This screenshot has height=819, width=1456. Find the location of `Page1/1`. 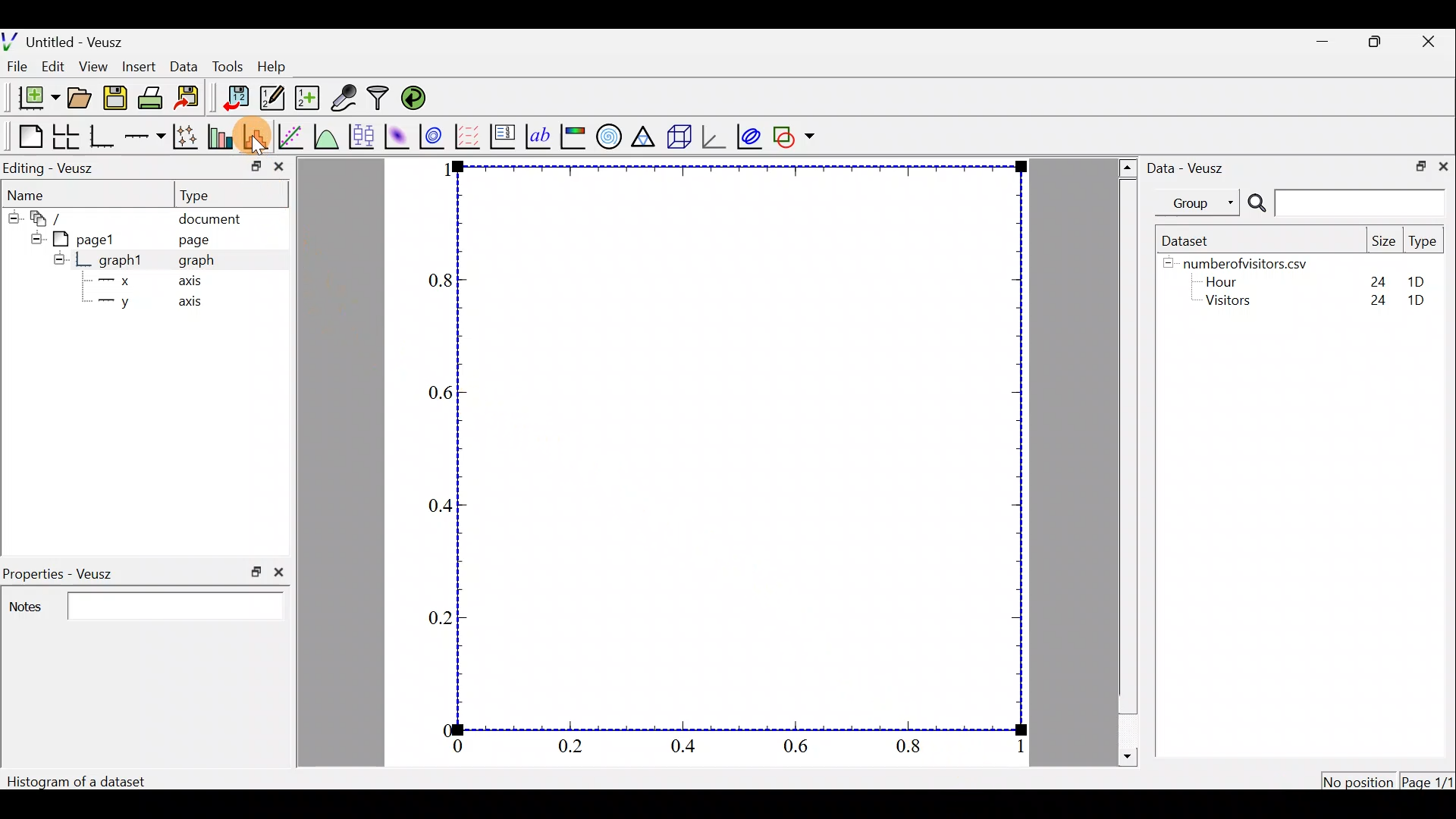

Page1/1 is located at coordinates (1426, 780).